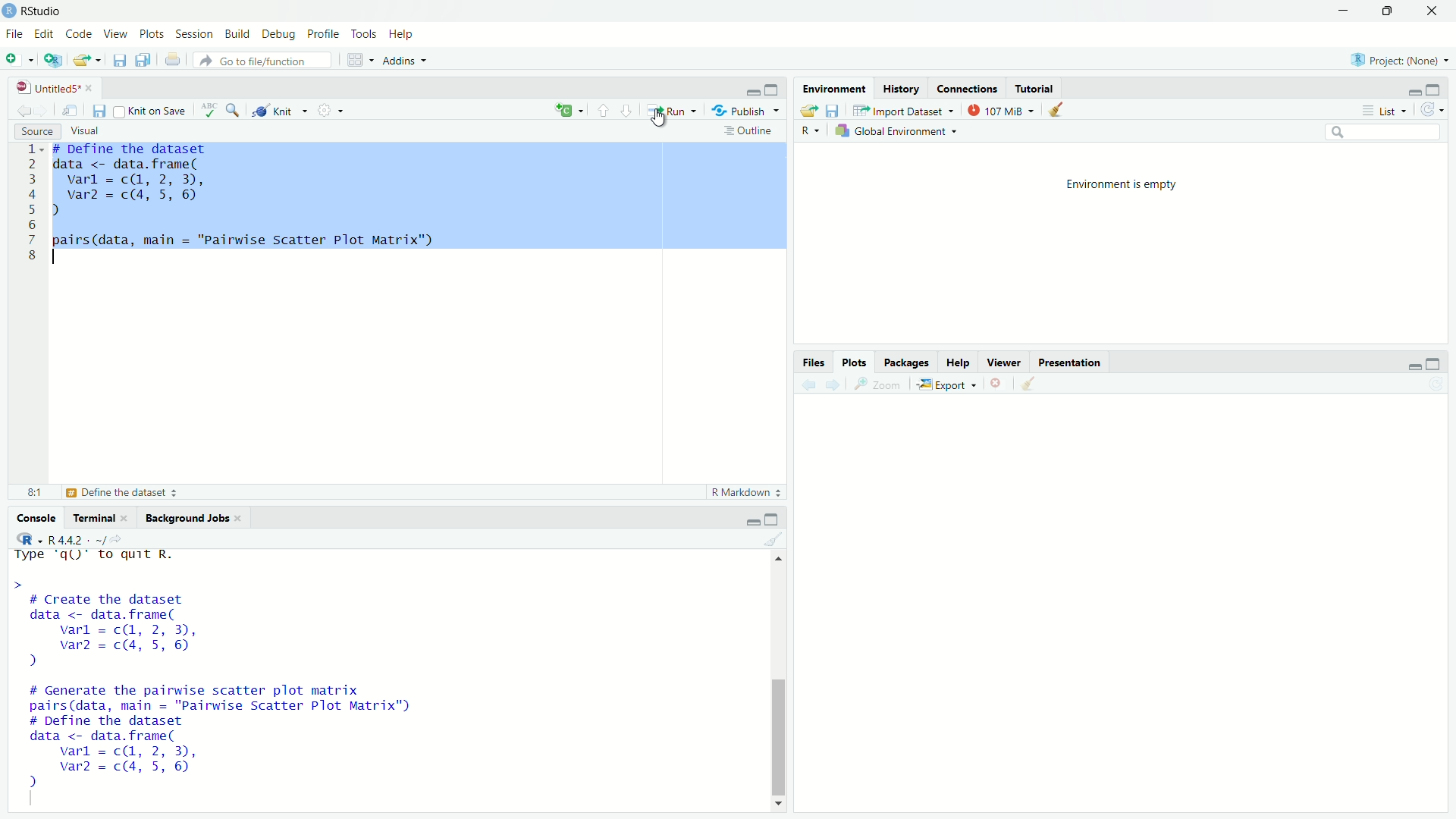 The height and width of the screenshot is (819, 1456). Describe the element at coordinates (832, 86) in the screenshot. I see `Environment` at that location.